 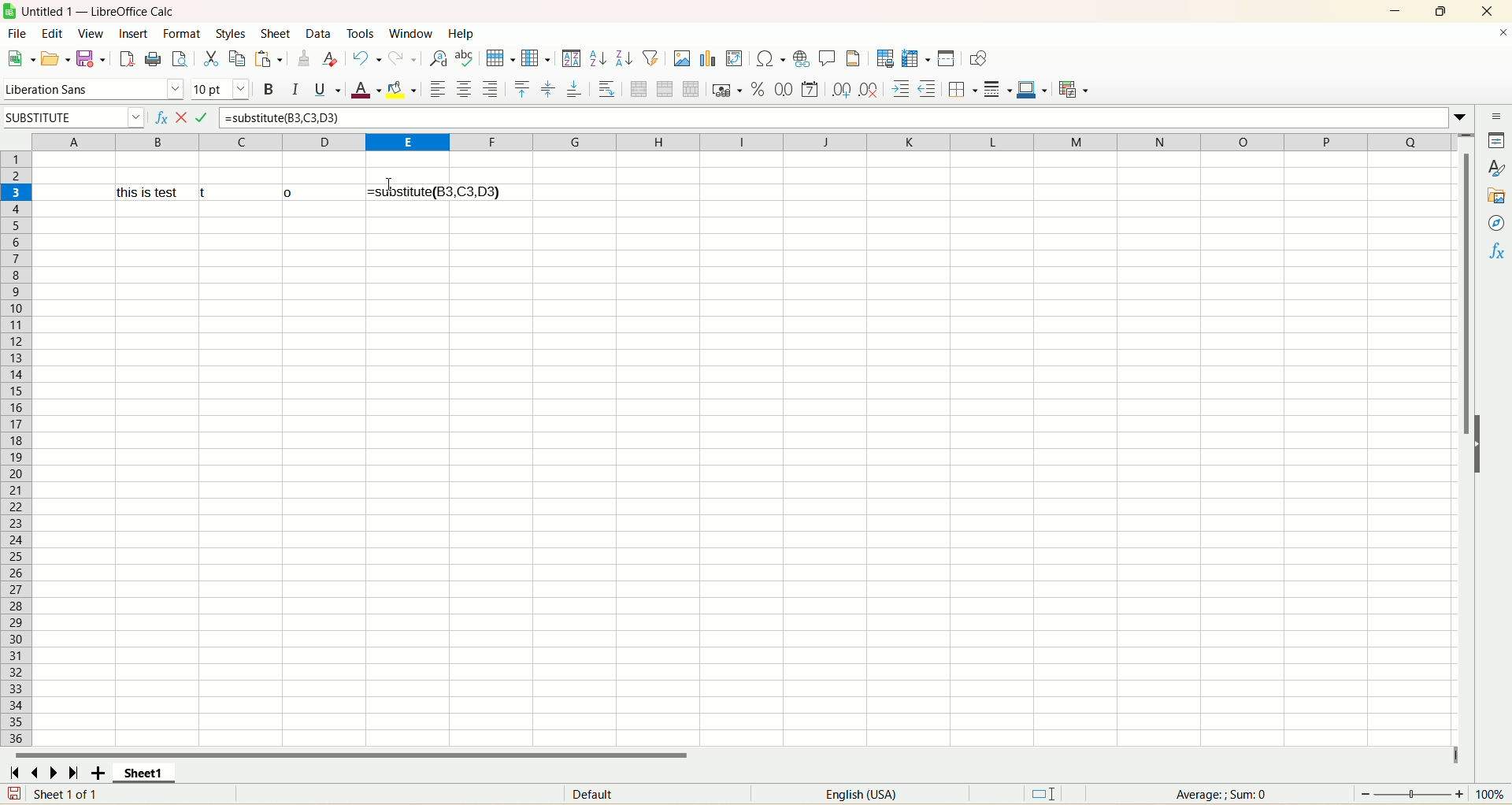 What do you see at coordinates (91, 33) in the screenshot?
I see `view` at bounding box center [91, 33].